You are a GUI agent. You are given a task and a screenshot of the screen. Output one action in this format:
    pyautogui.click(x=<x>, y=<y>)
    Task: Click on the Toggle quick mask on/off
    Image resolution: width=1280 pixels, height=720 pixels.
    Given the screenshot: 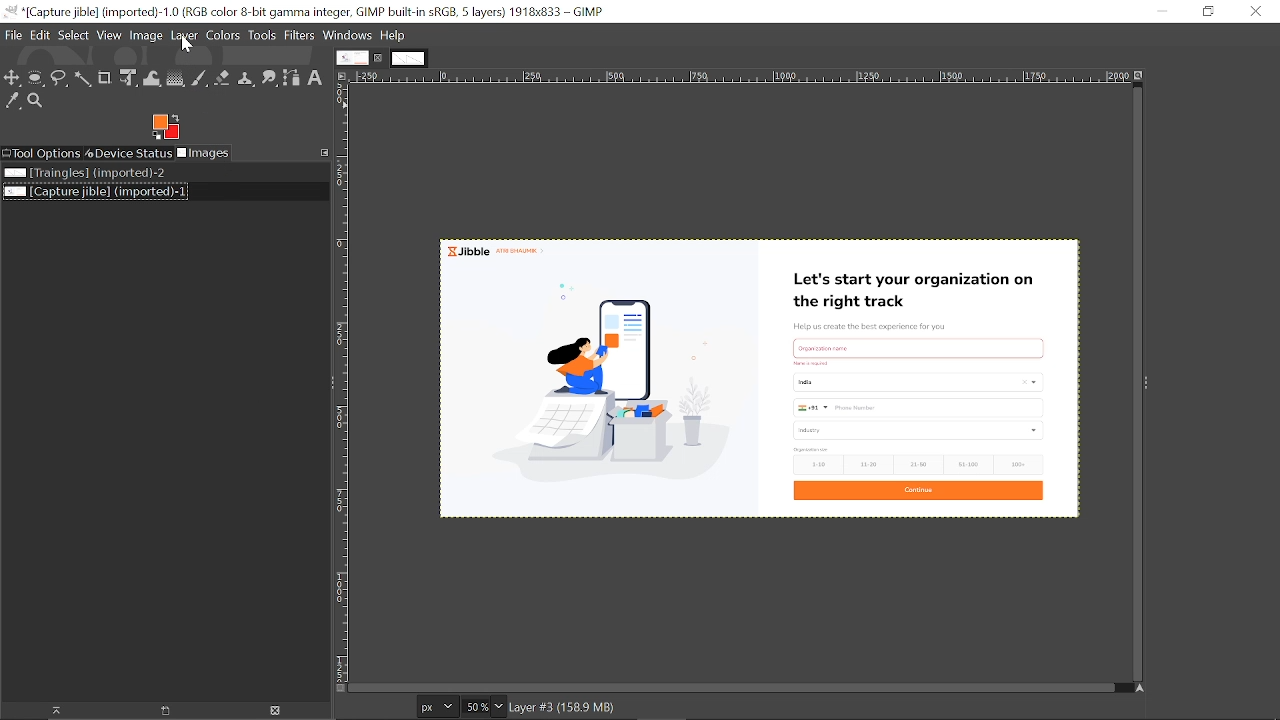 What is the action you would take?
    pyautogui.click(x=339, y=688)
    